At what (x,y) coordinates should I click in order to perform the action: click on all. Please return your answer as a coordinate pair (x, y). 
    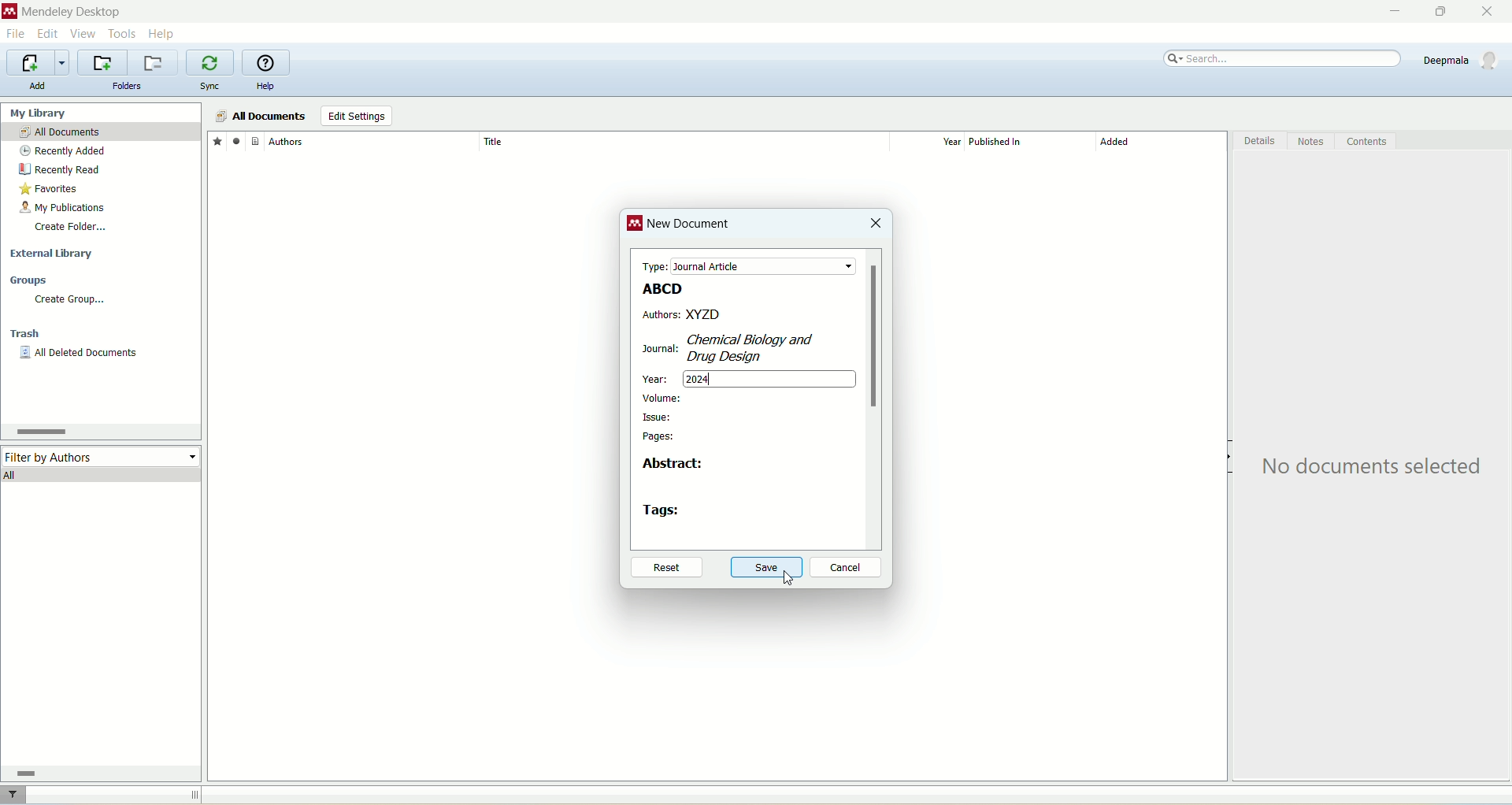
    Looking at the image, I should click on (102, 474).